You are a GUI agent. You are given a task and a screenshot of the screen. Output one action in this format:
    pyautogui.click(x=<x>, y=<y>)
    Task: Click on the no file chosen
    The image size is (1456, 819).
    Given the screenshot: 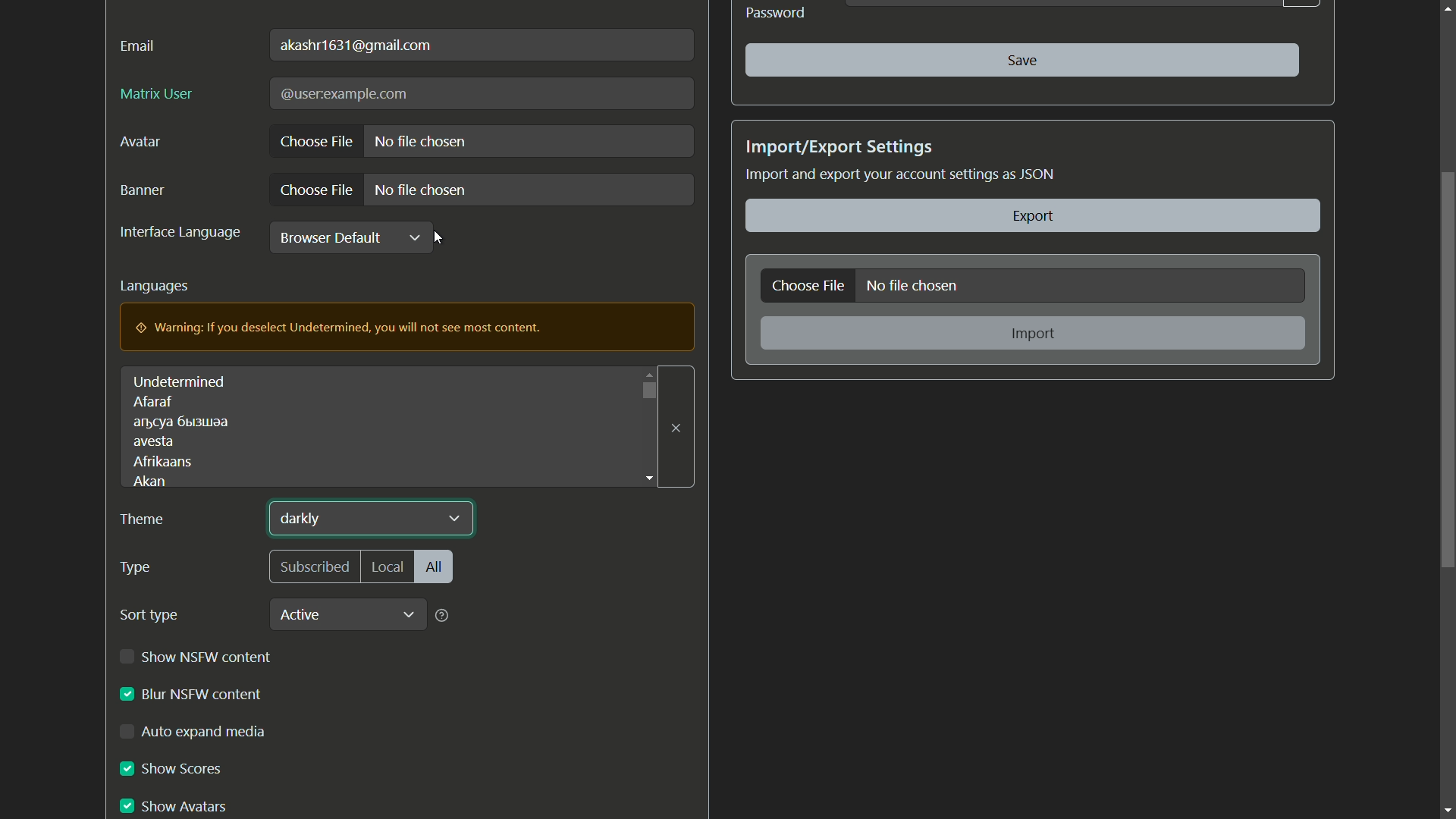 What is the action you would take?
    pyautogui.click(x=420, y=140)
    